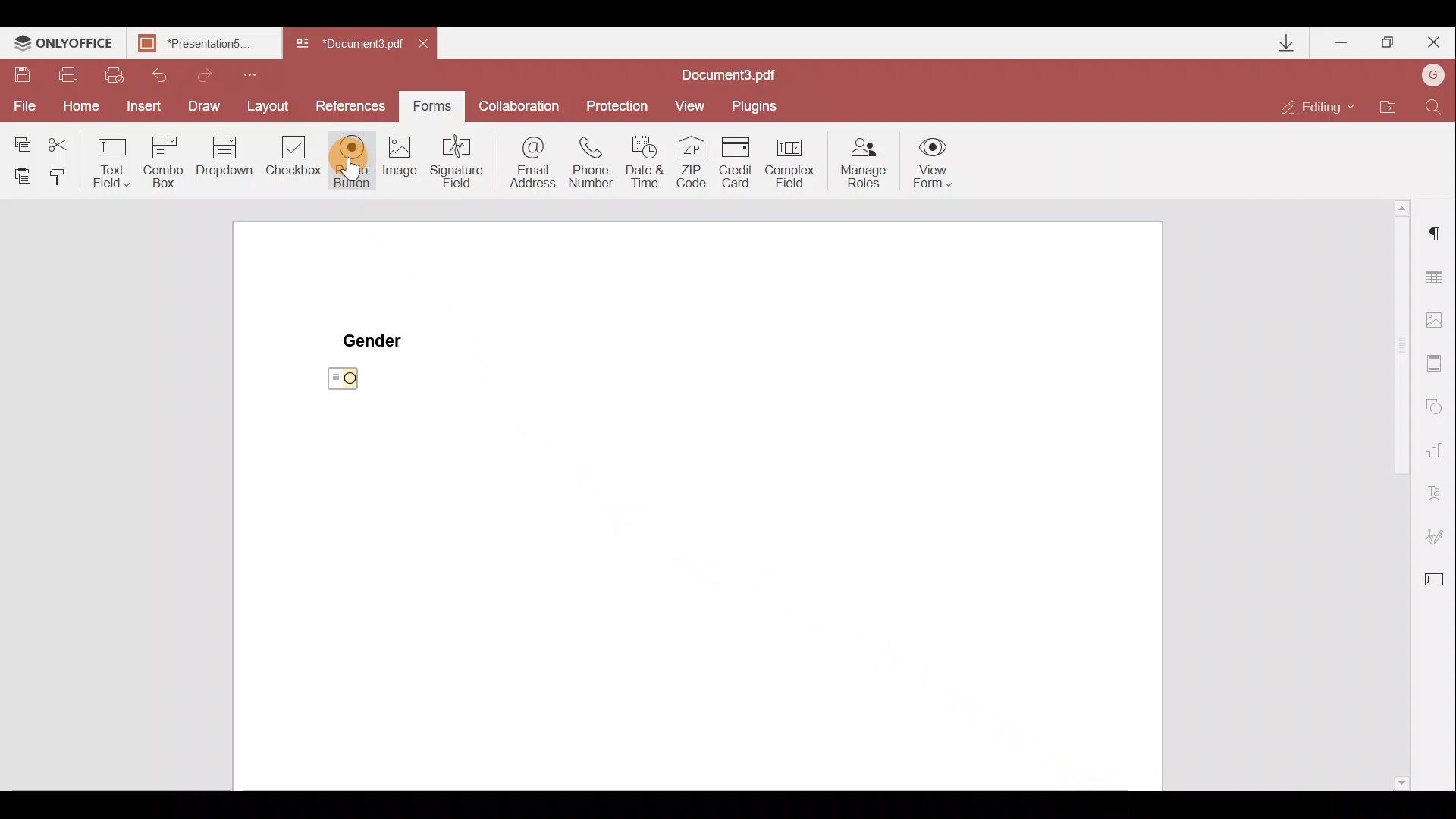 This screenshot has width=1456, height=819. What do you see at coordinates (1437, 274) in the screenshot?
I see `Table settings` at bounding box center [1437, 274].